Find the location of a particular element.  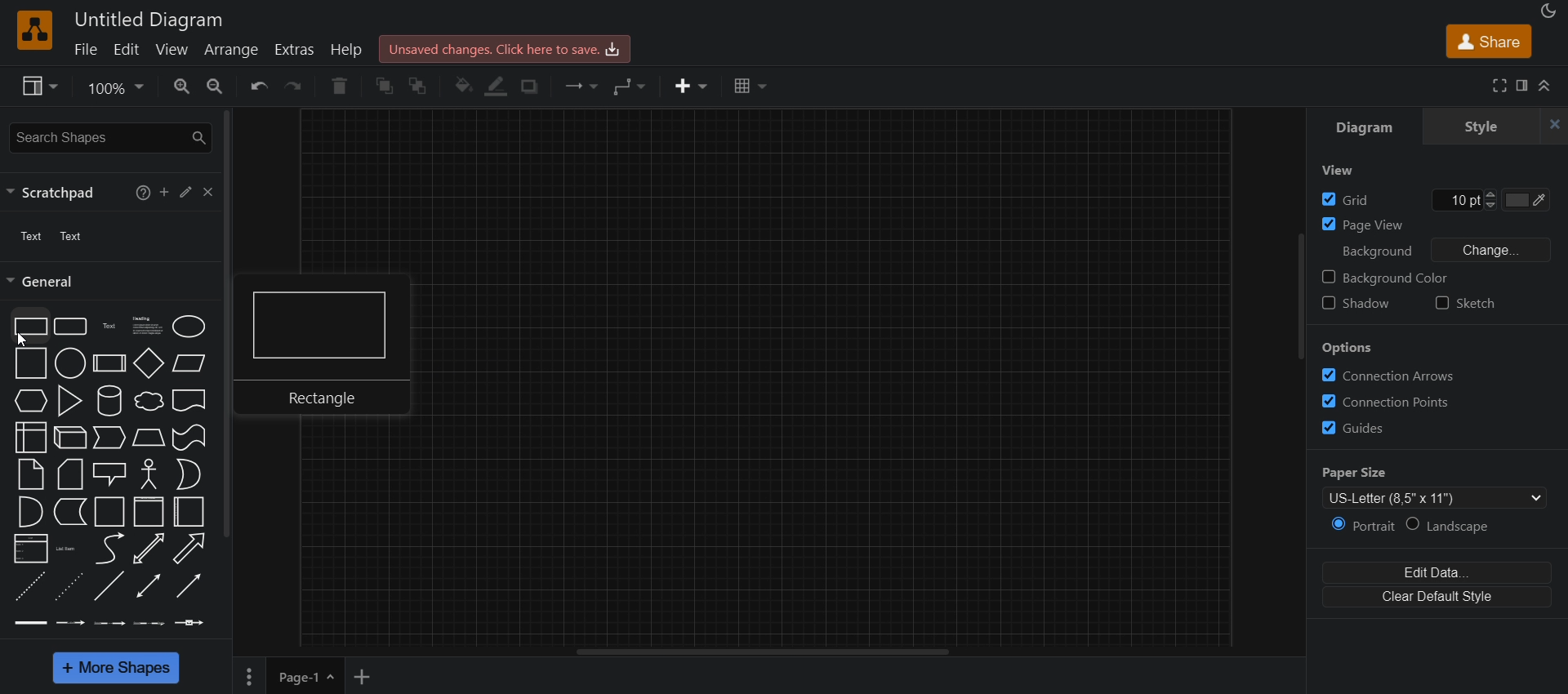

container is located at coordinates (109, 512).